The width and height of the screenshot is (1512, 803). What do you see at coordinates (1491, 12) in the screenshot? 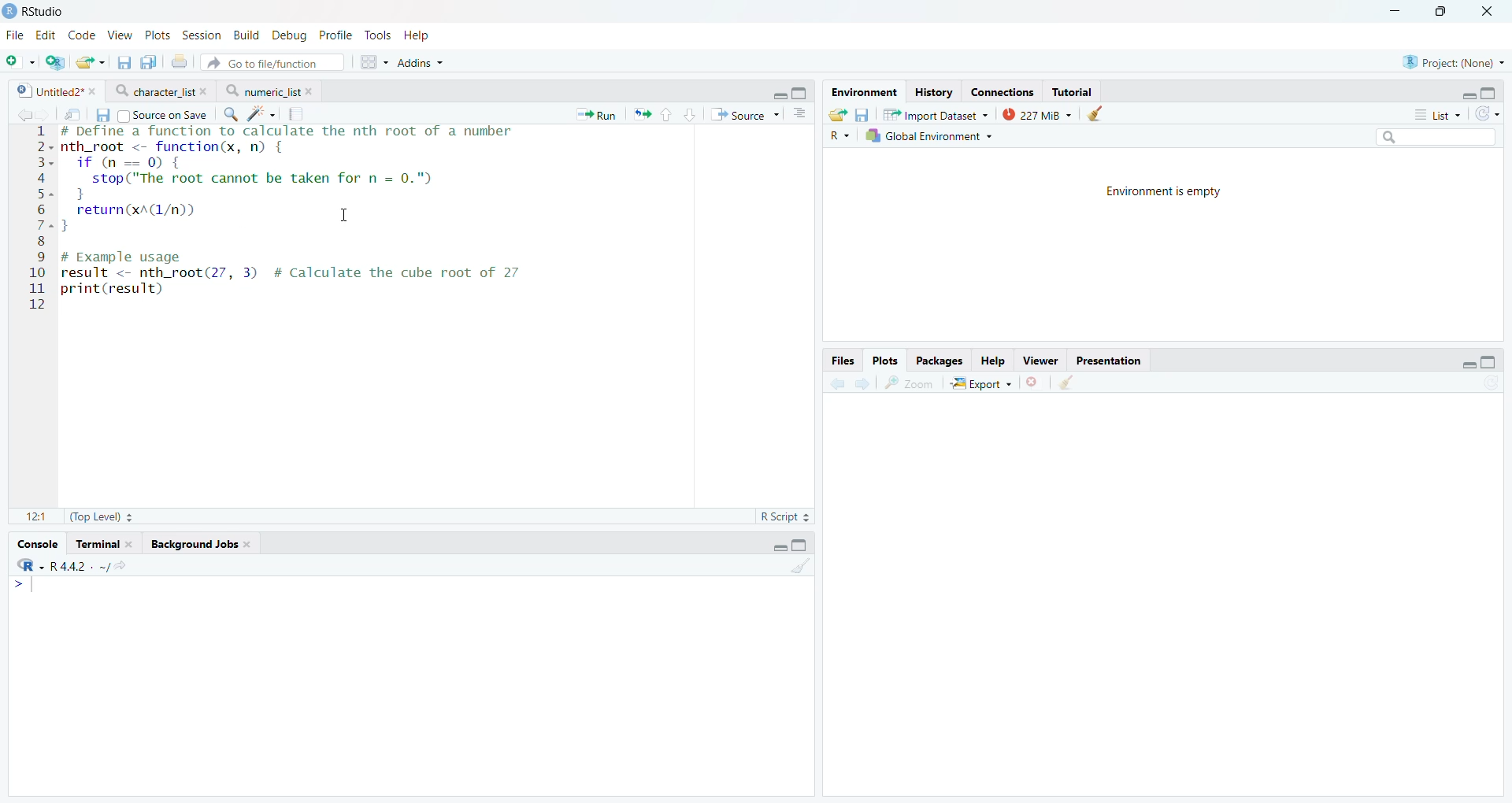
I see `Close` at bounding box center [1491, 12].